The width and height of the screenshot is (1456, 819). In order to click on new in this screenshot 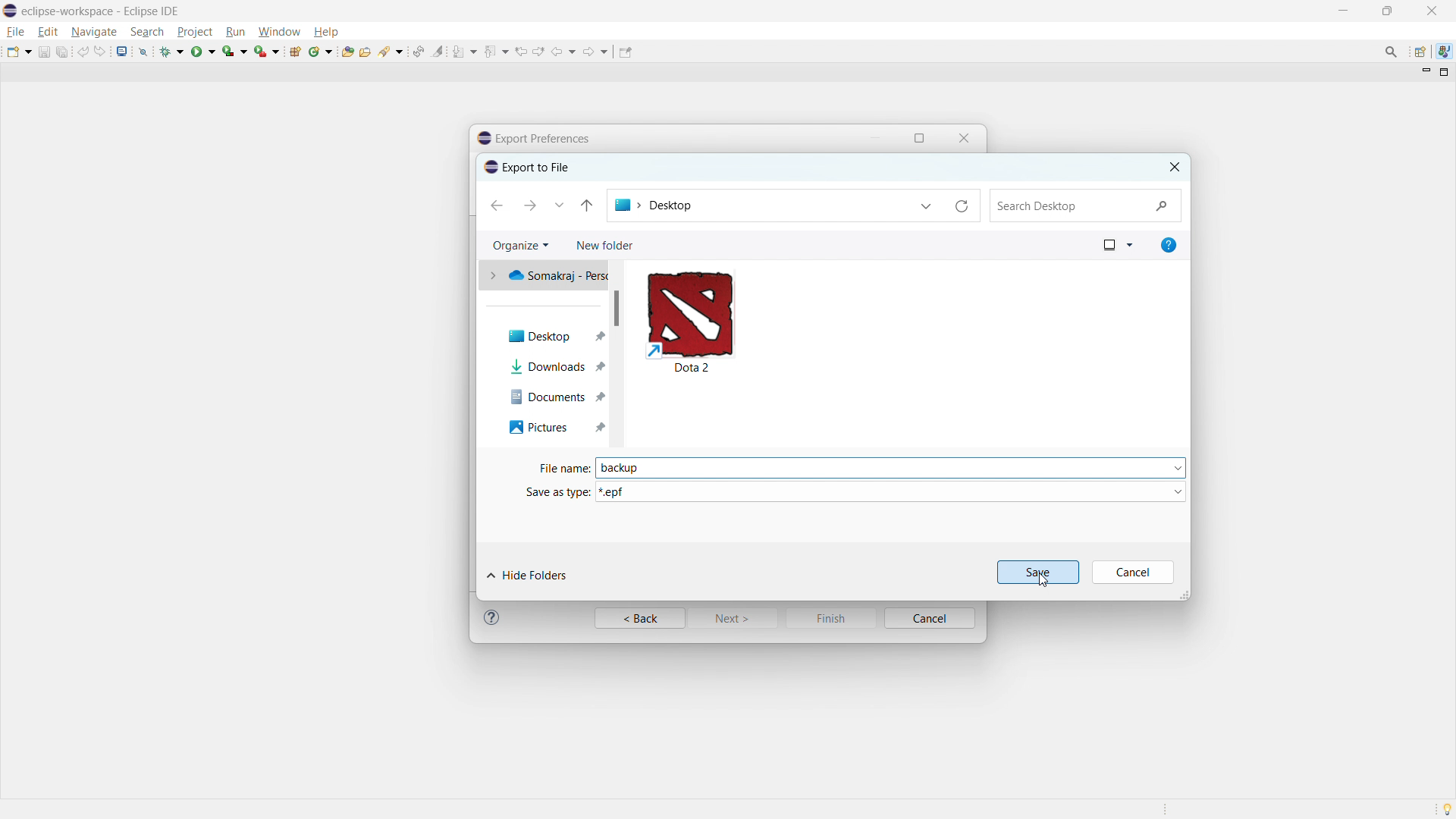, I will do `click(19, 52)`.